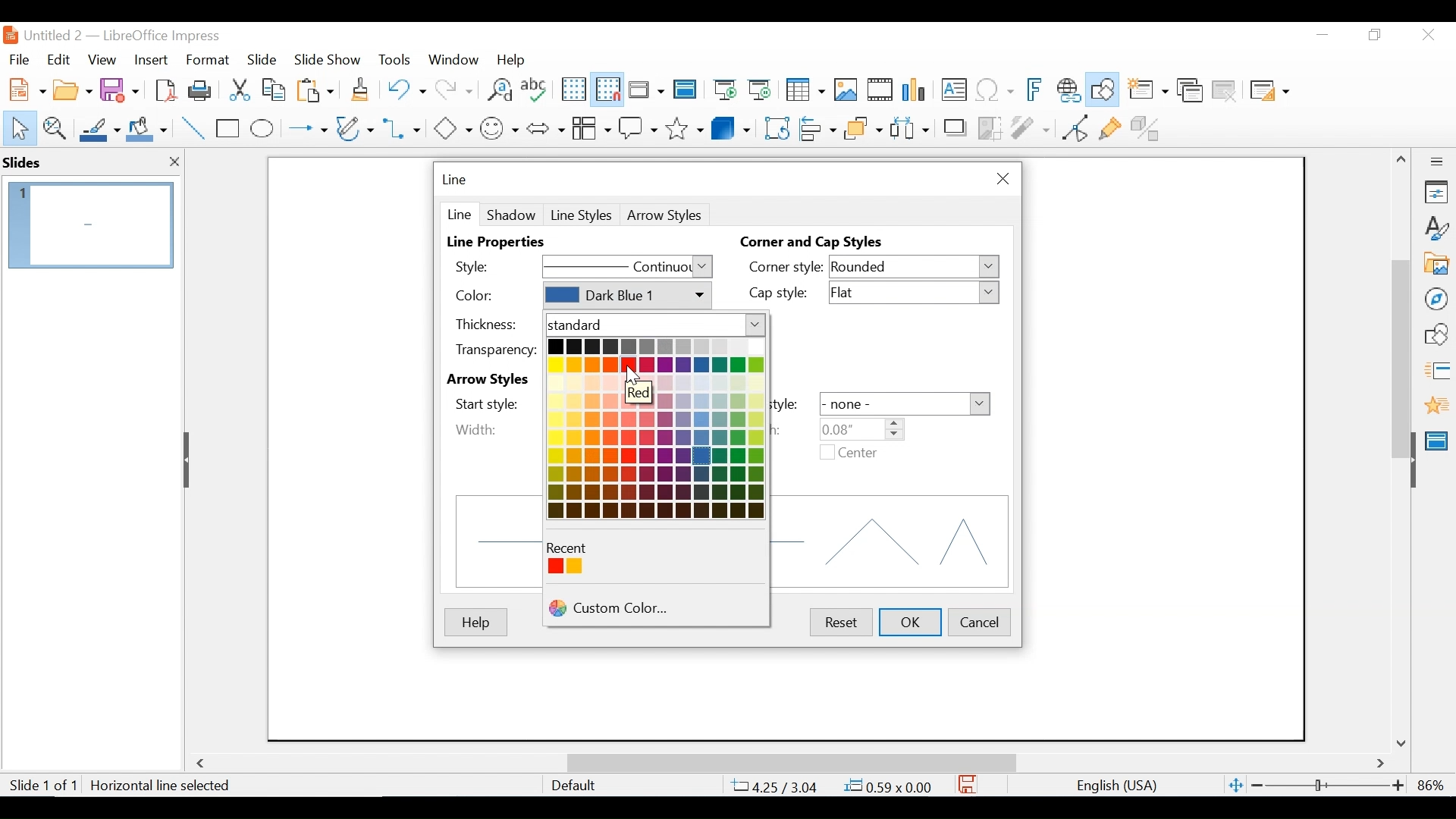  What do you see at coordinates (54, 127) in the screenshot?
I see `Zoom & Pan` at bounding box center [54, 127].